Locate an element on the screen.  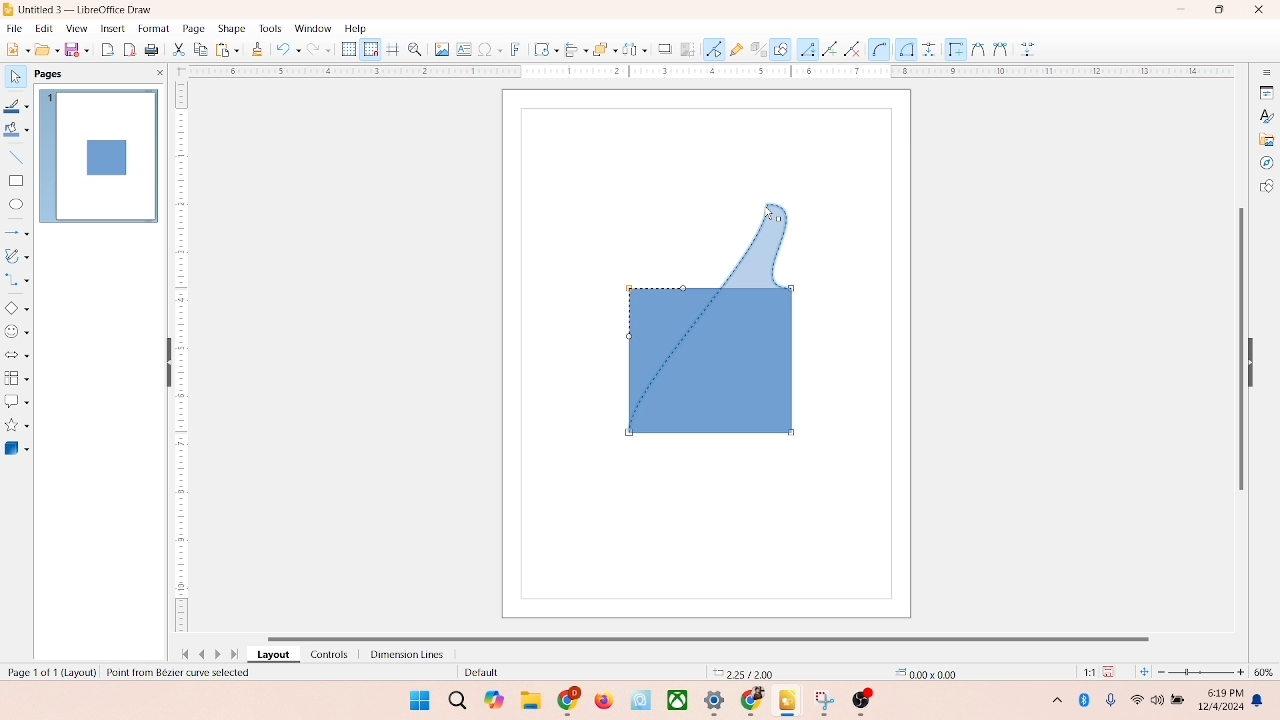
controls is located at coordinates (324, 654).